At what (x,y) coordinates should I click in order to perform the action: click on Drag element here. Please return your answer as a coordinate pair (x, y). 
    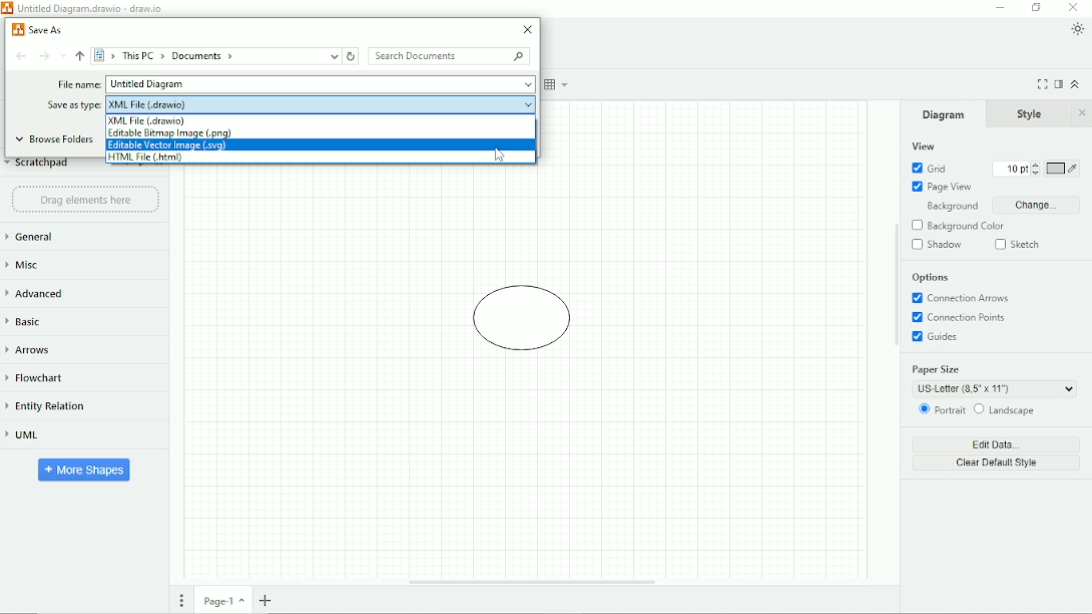
    Looking at the image, I should click on (85, 200).